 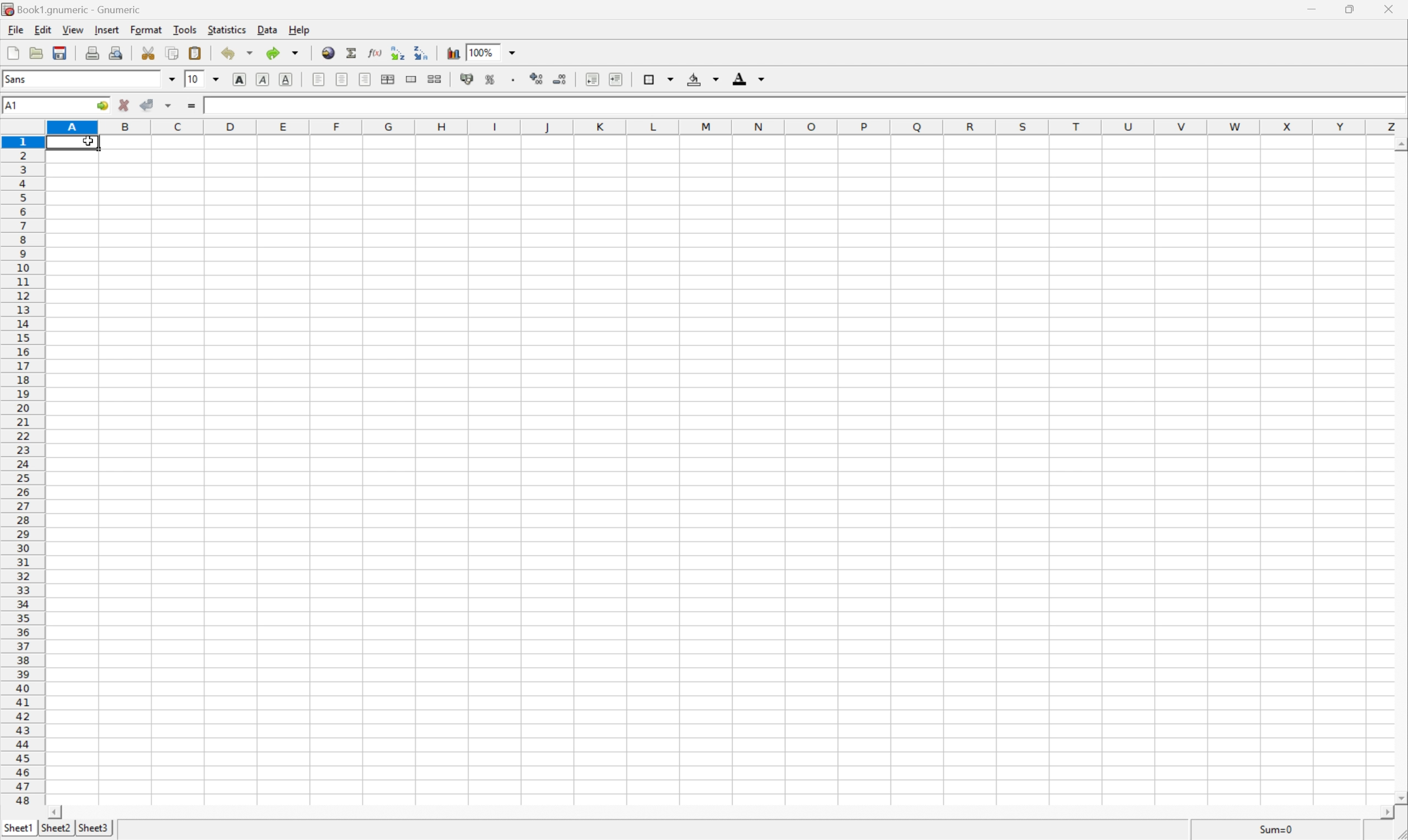 I want to click on help, so click(x=298, y=29).